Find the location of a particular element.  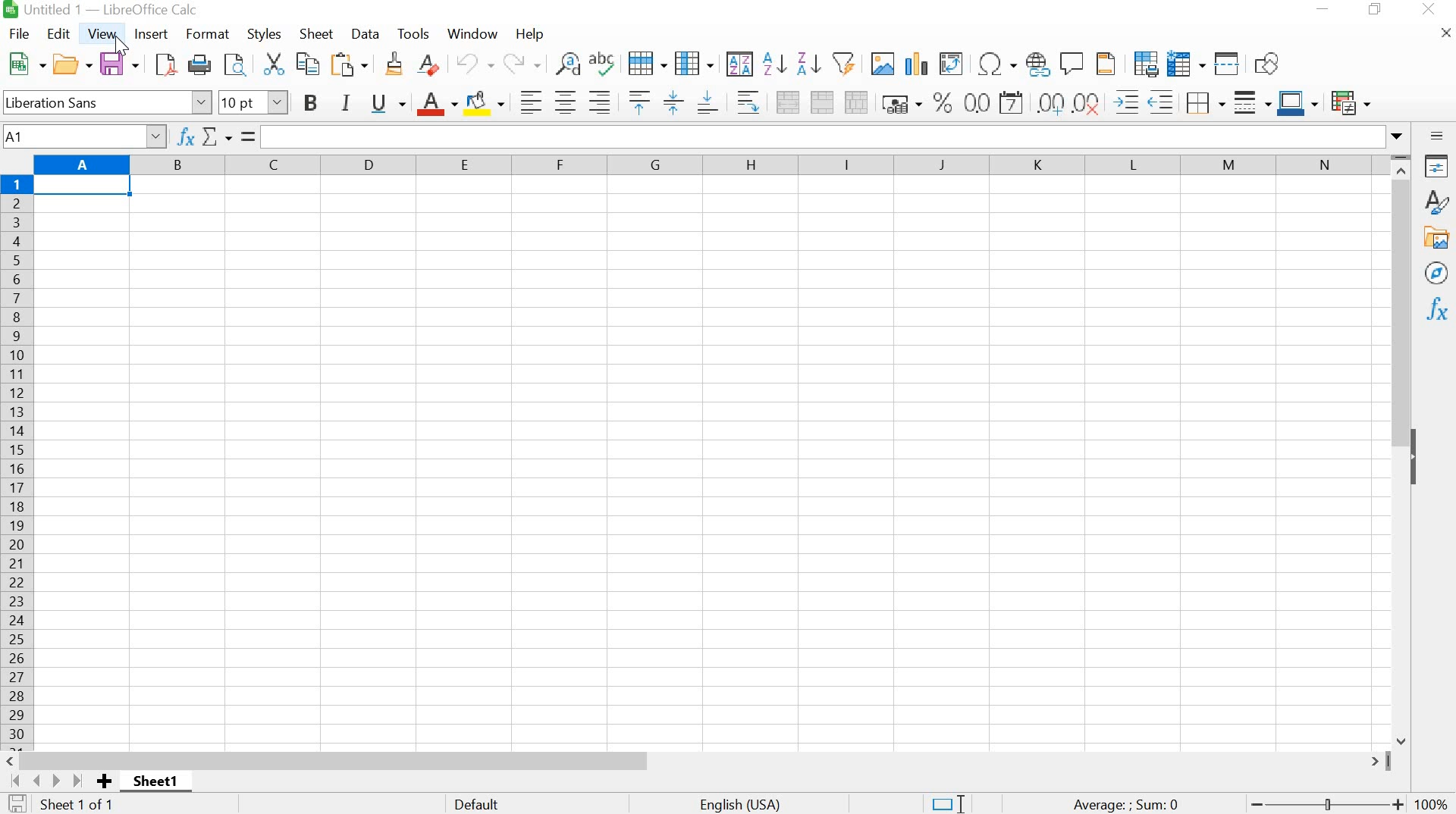

FORMULA is located at coordinates (1127, 805).